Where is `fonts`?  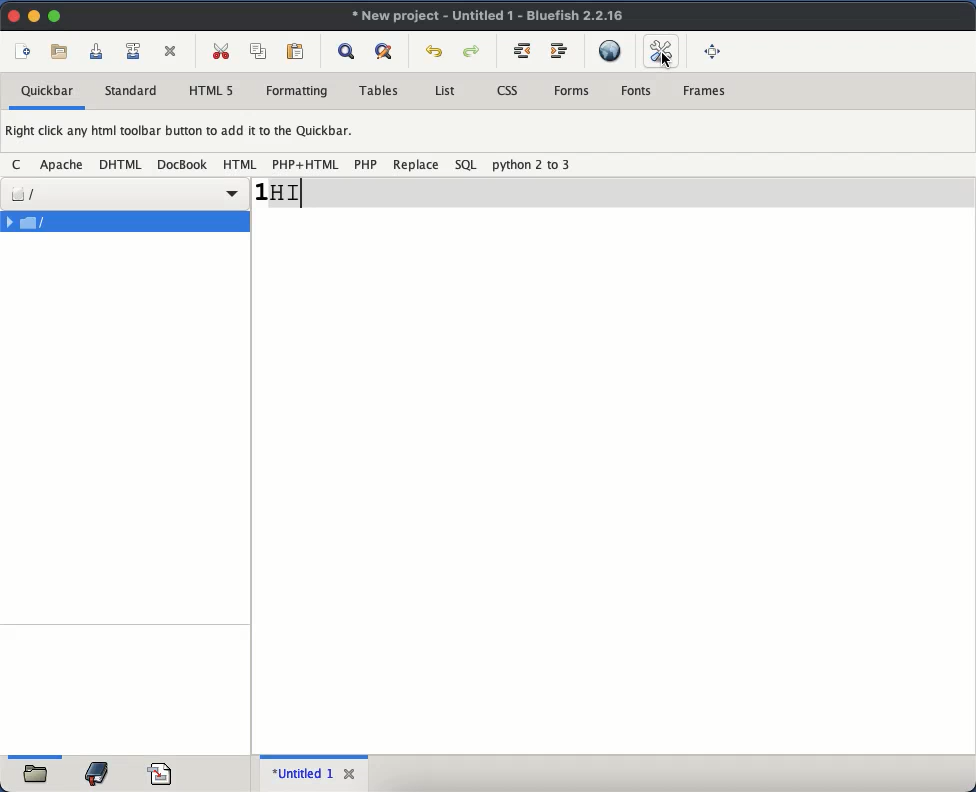 fonts is located at coordinates (638, 91).